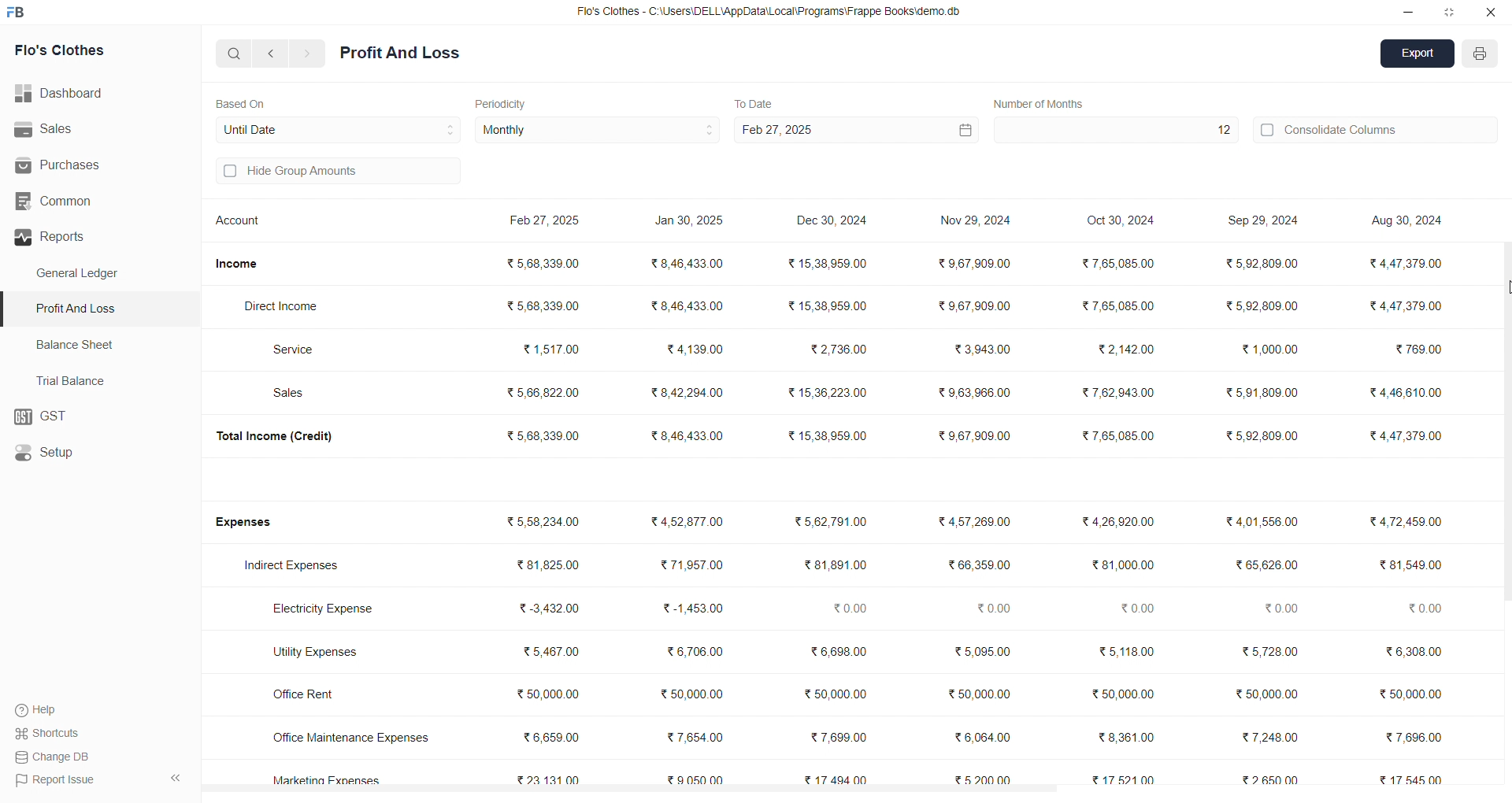 This screenshot has height=803, width=1512. What do you see at coordinates (326, 780) in the screenshot?
I see `Marketing Expenses` at bounding box center [326, 780].